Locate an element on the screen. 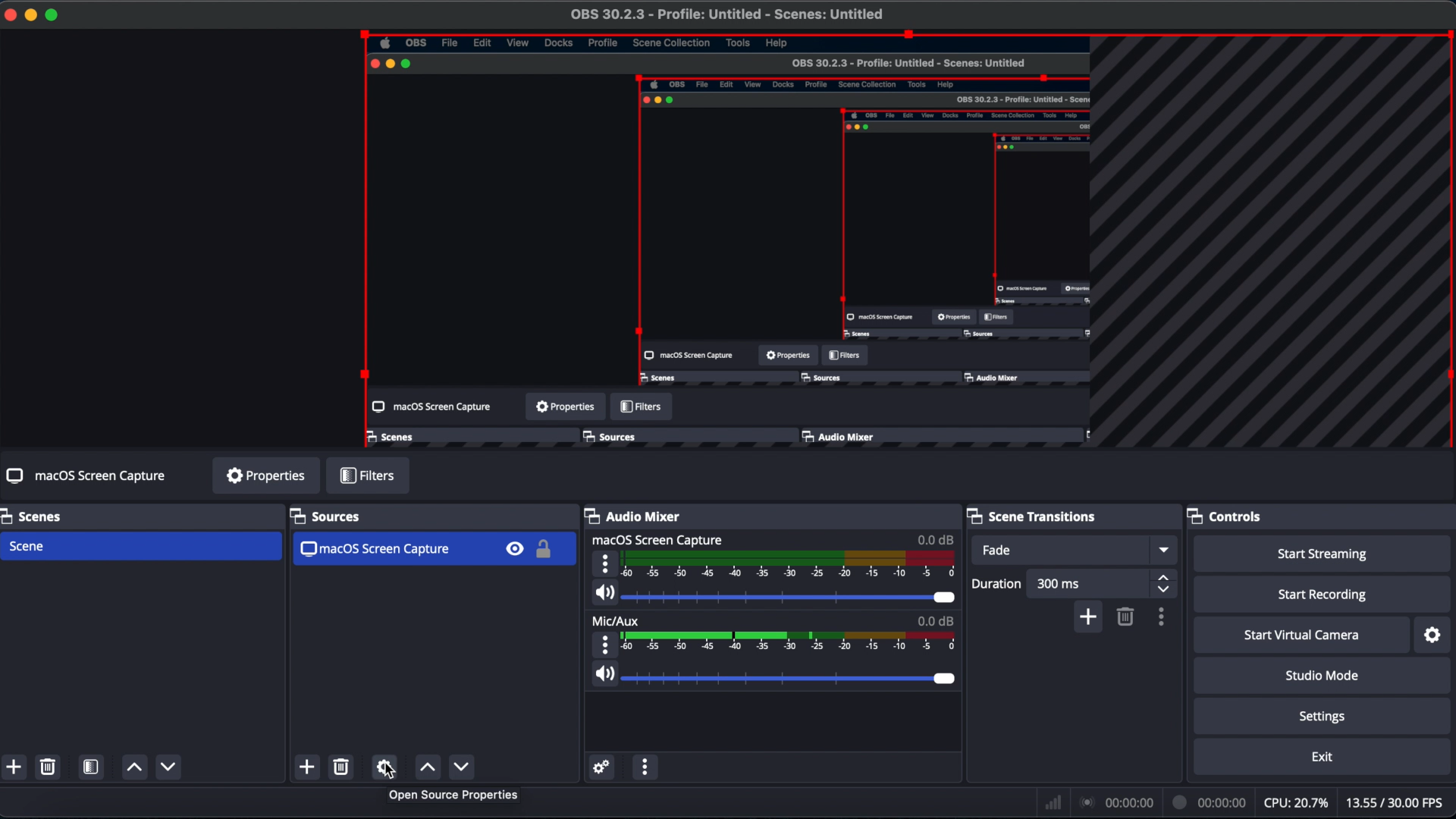  mic volume level meter is located at coordinates (789, 642).